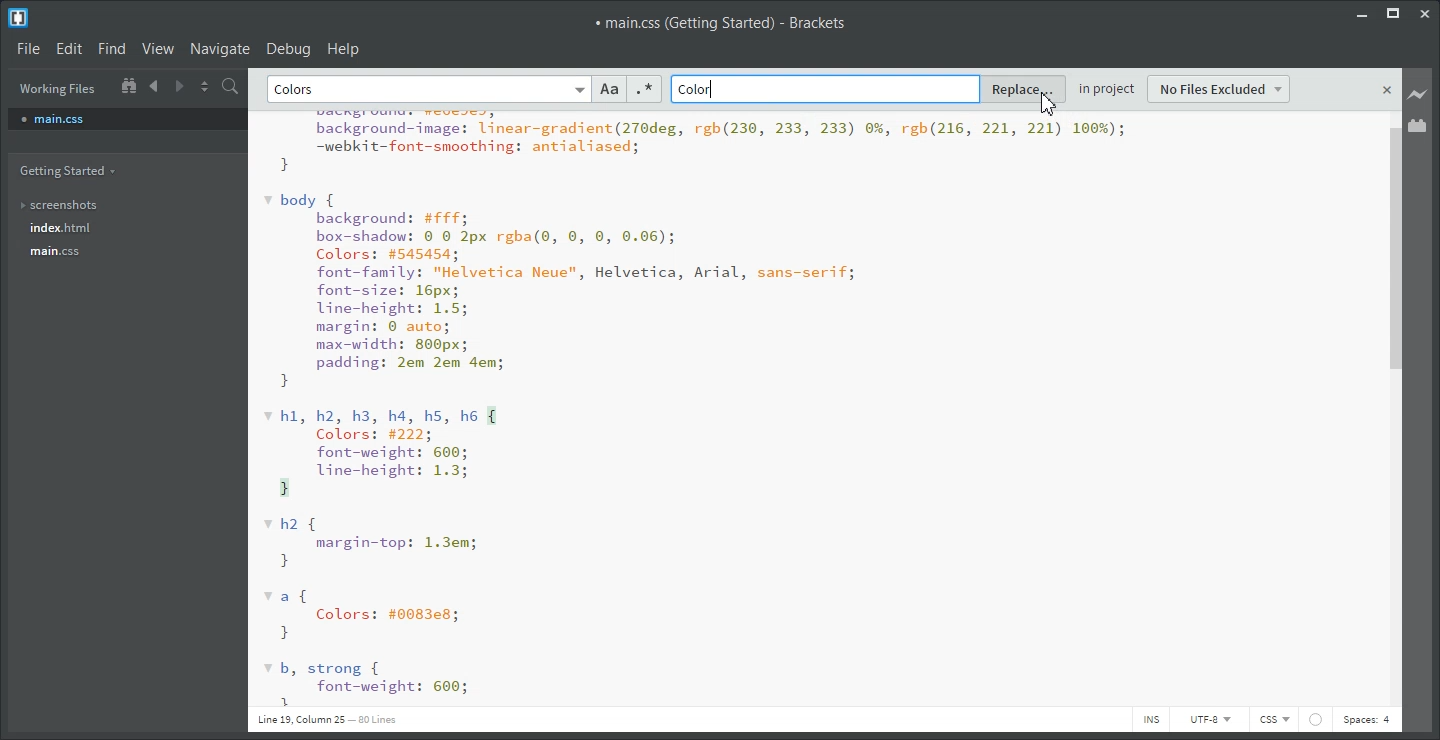 The image size is (1440, 740). I want to click on main.css (Getting Started) - Brackets, so click(725, 23).